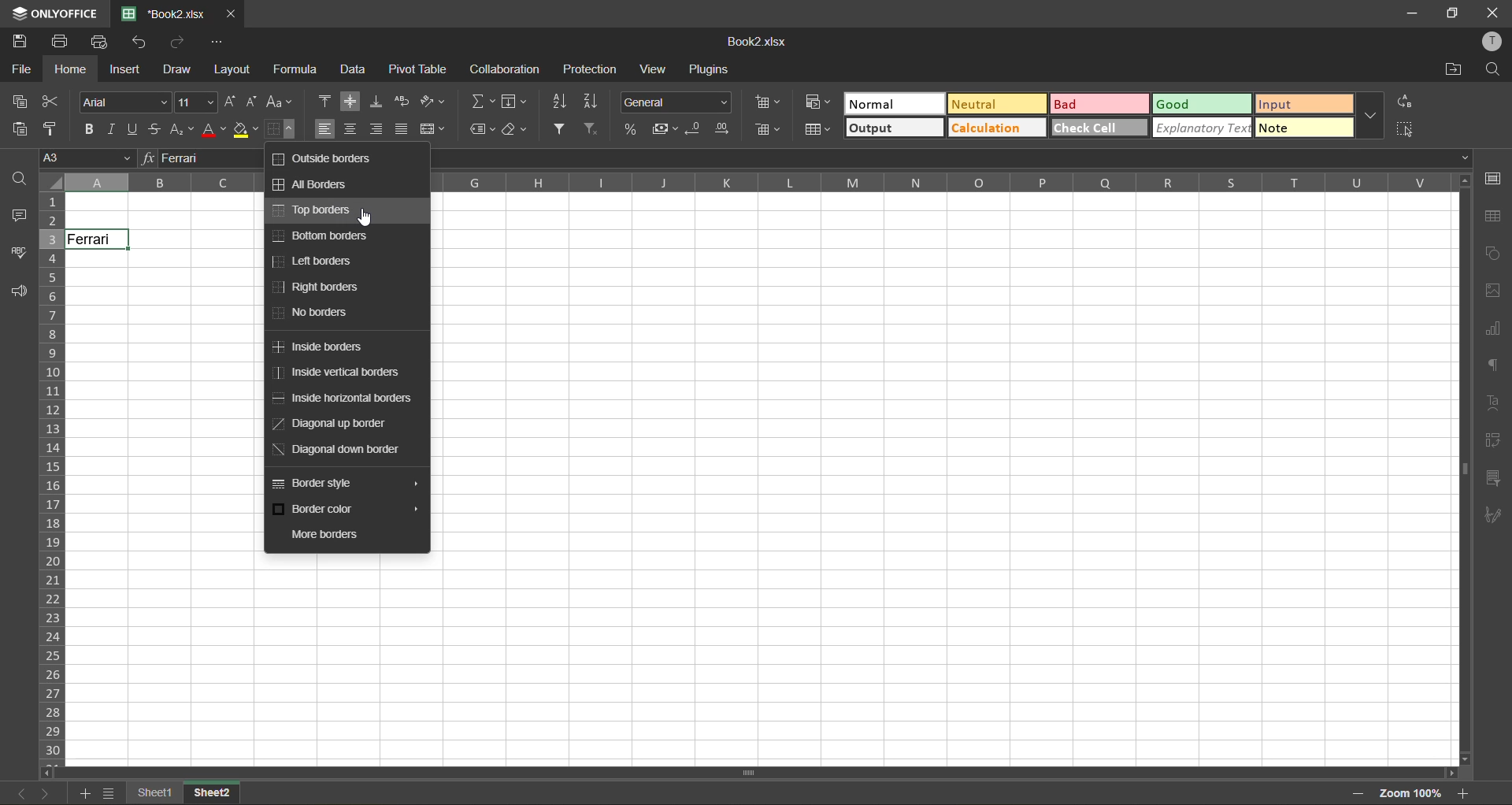 This screenshot has height=805, width=1512. What do you see at coordinates (124, 102) in the screenshot?
I see `font style` at bounding box center [124, 102].